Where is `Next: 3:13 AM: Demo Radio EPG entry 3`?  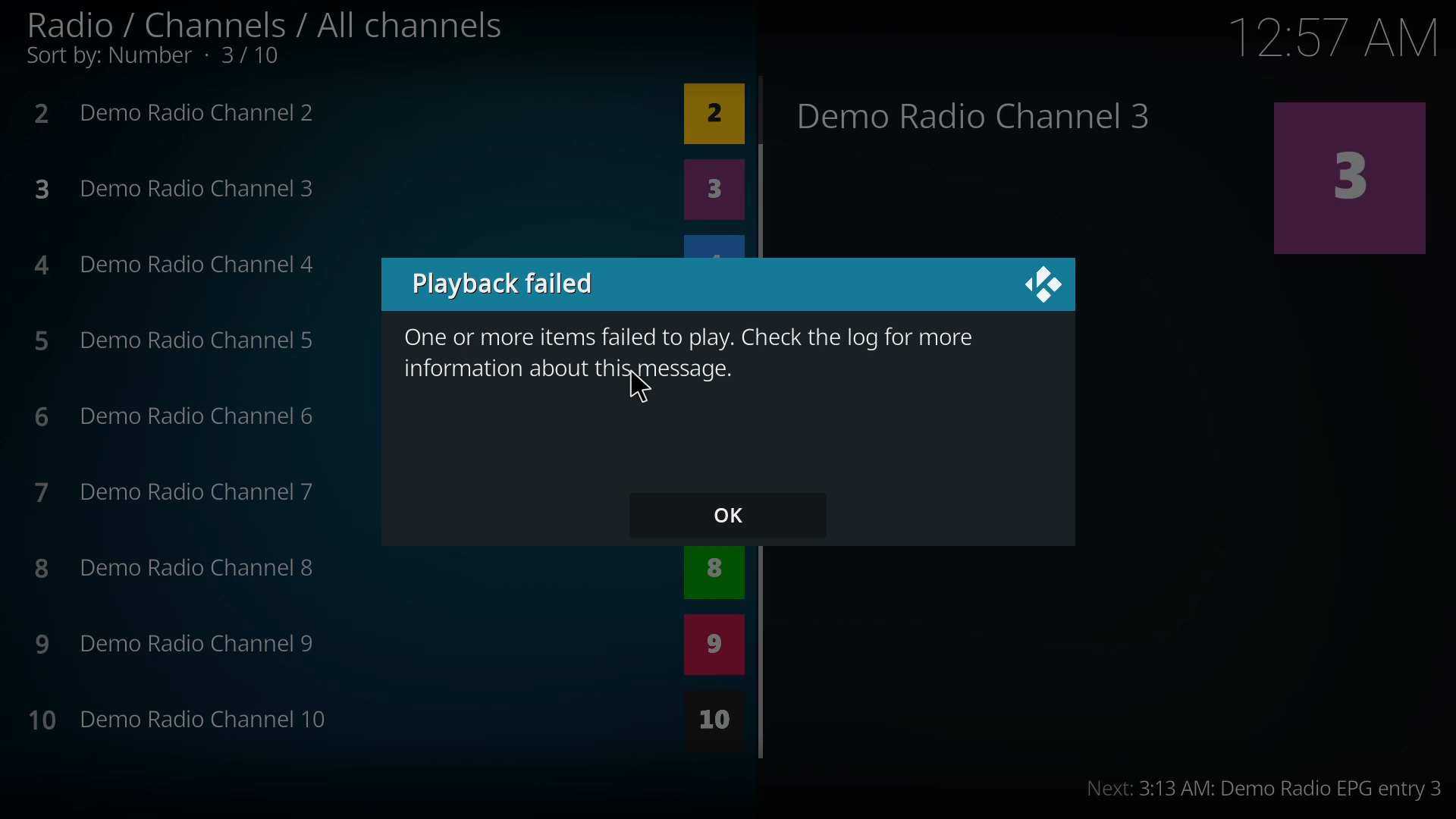
Next: 3:13 AM: Demo Radio EPG entry 3 is located at coordinates (1223, 788).